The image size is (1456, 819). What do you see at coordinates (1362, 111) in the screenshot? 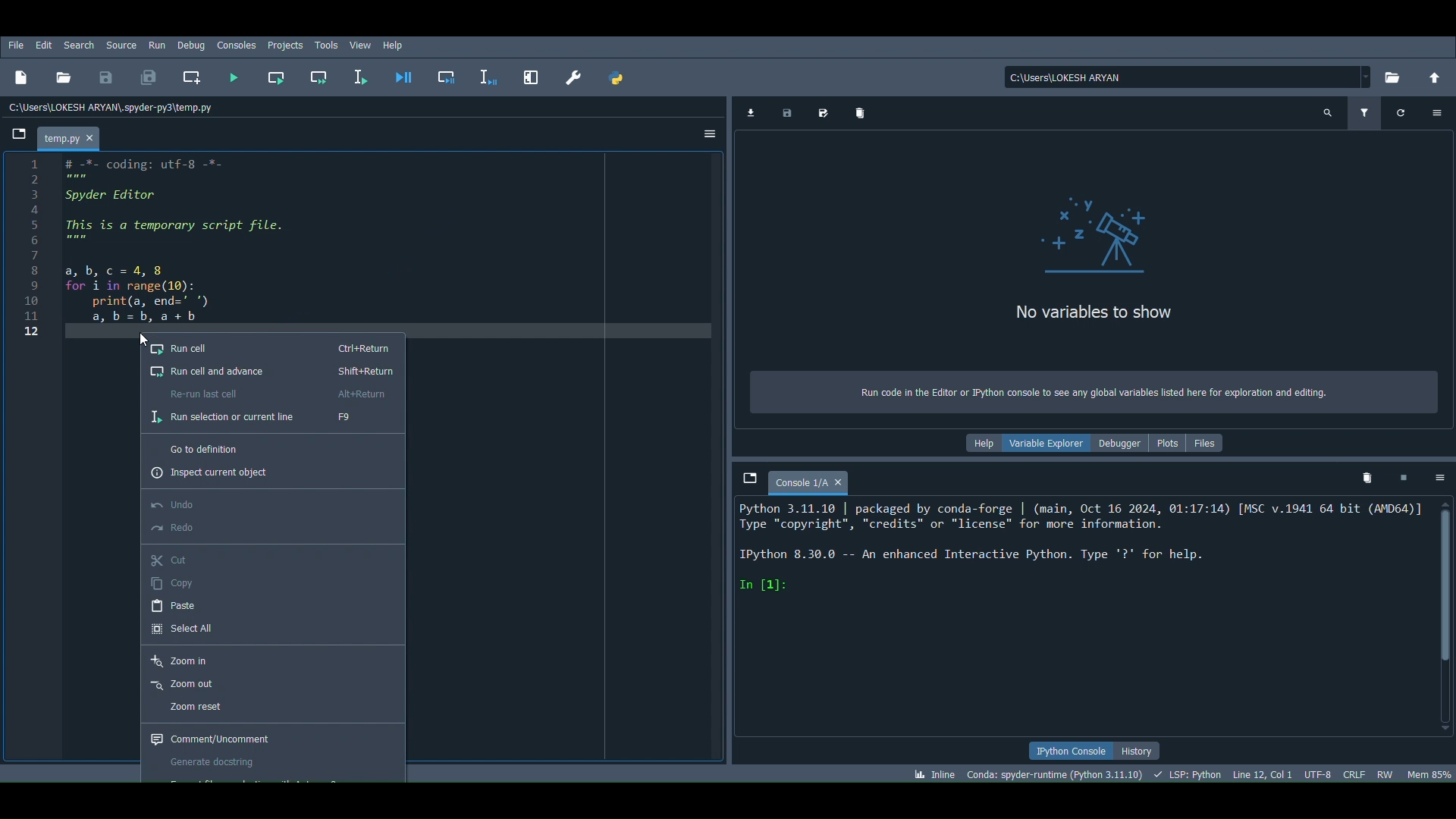
I see `Filter variables` at bounding box center [1362, 111].